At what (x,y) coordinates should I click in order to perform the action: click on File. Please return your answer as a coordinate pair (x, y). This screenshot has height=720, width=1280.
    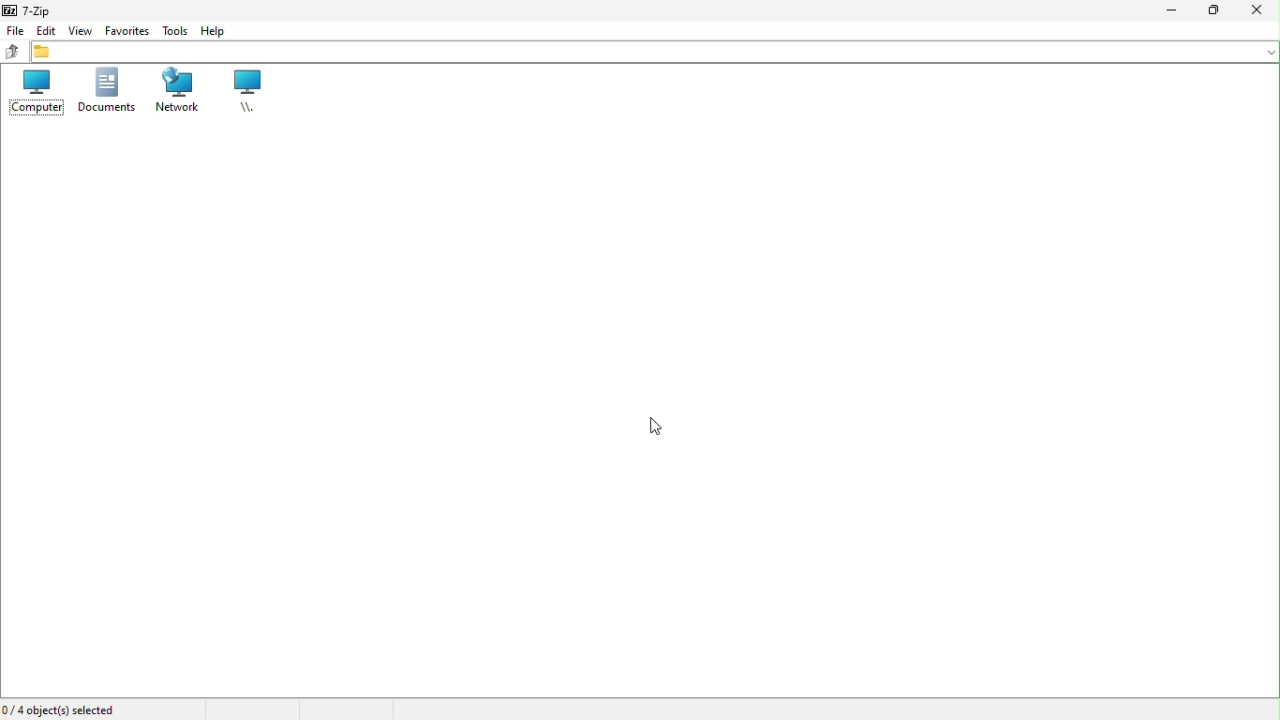
    Looking at the image, I should click on (13, 31).